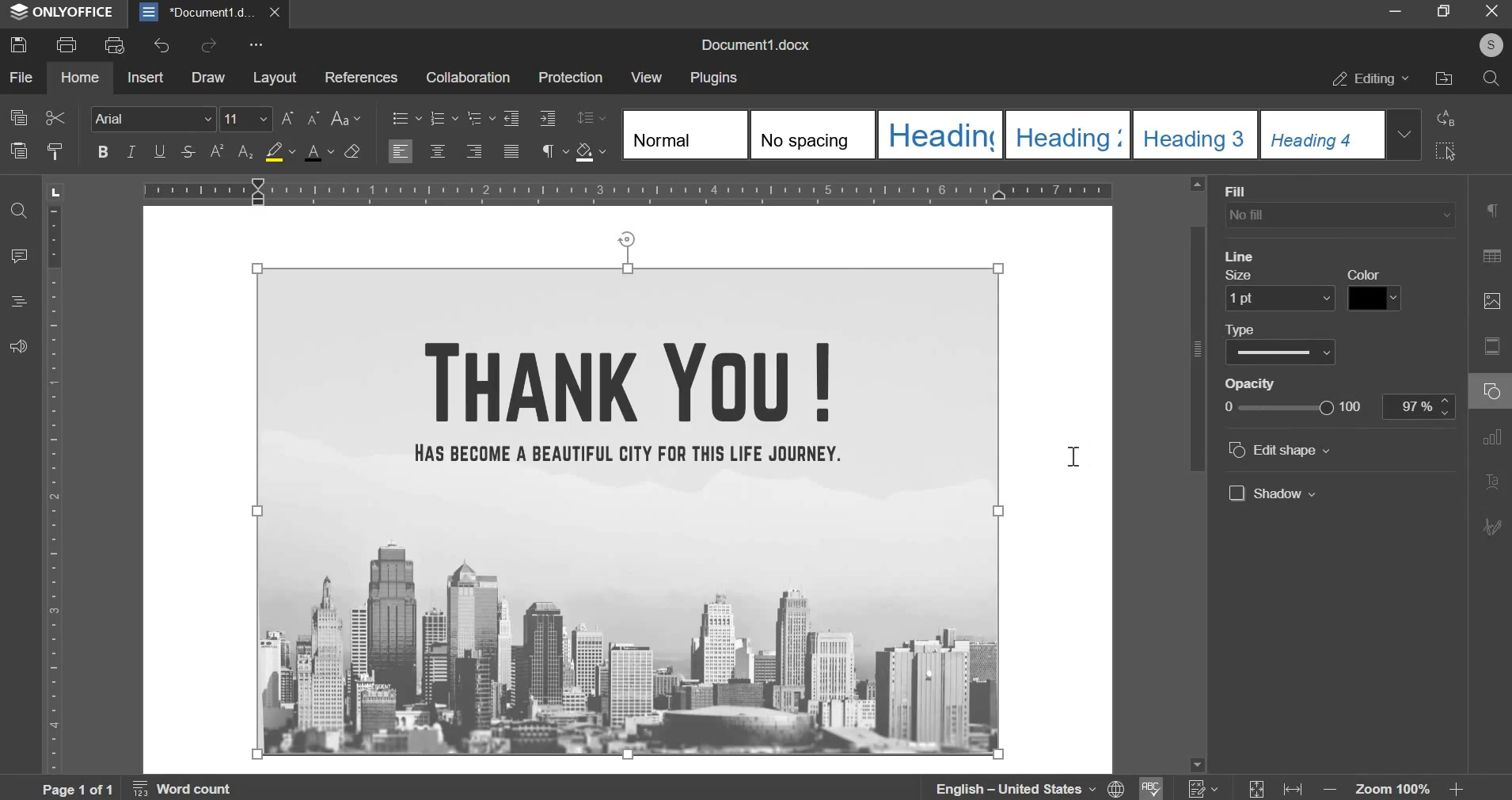 This screenshot has width=1512, height=800. I want to click on customize, so click(256, 46).